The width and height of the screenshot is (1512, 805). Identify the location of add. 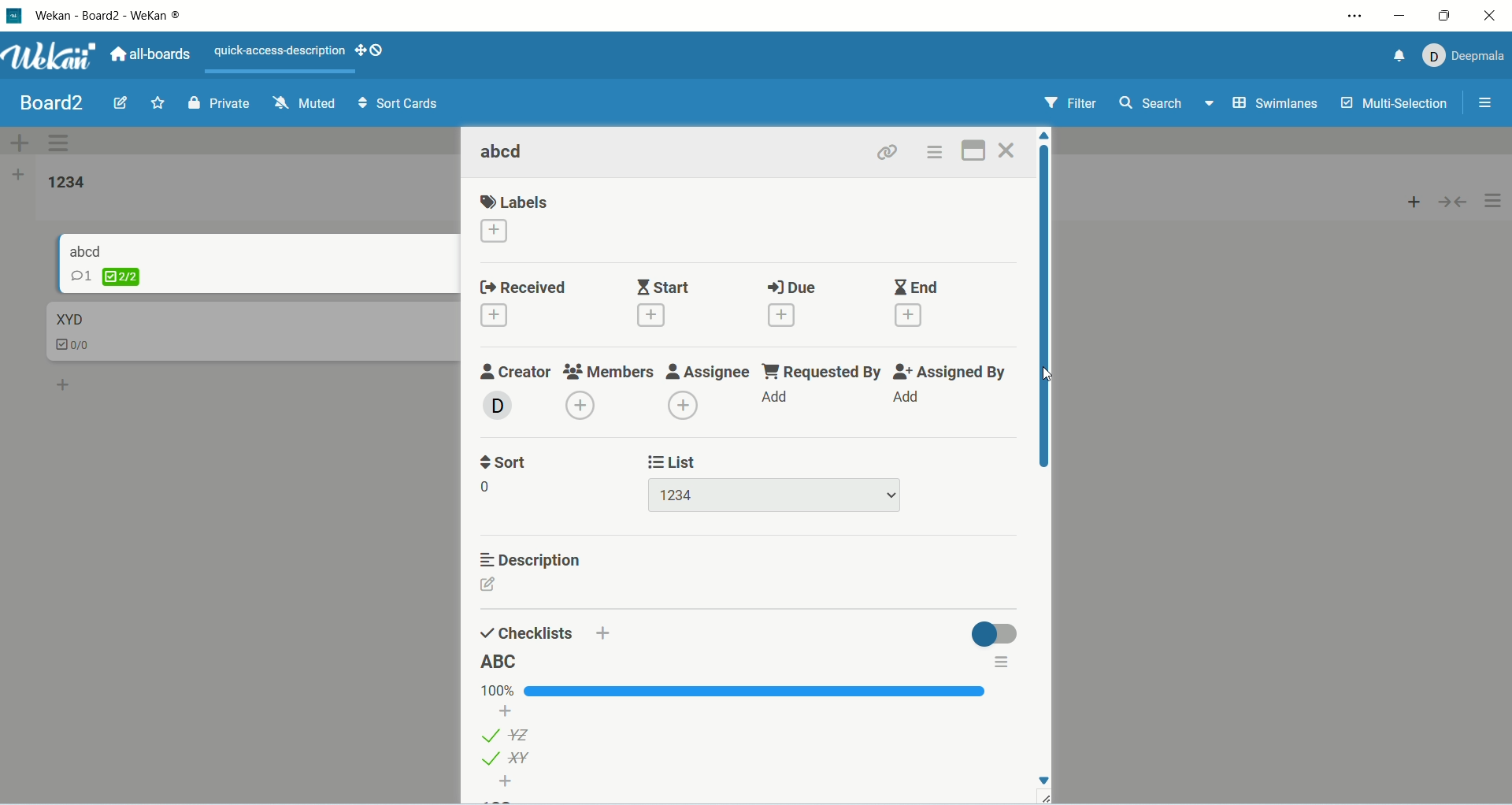
(493, 315).